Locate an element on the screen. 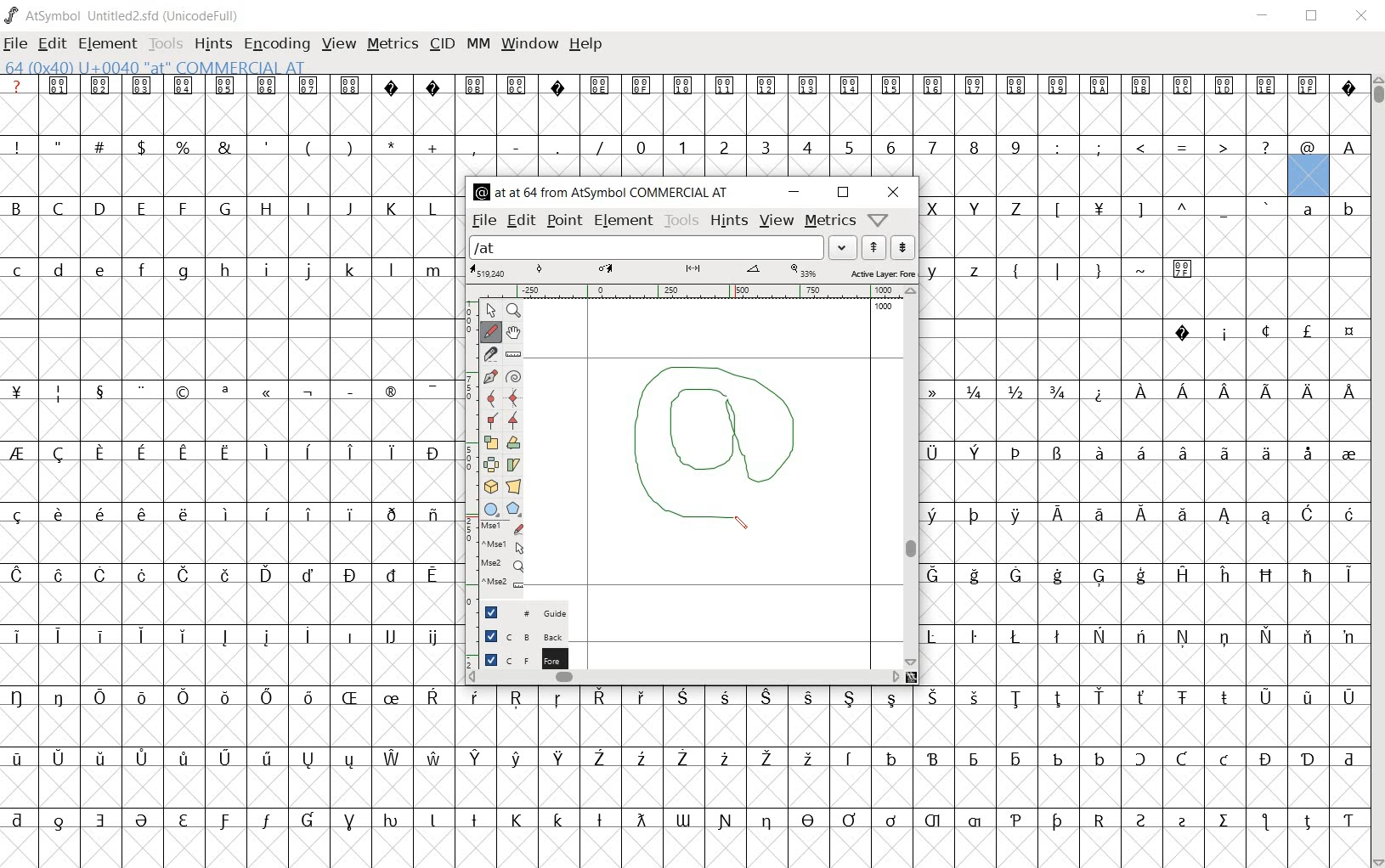  point is located at coordinates (565, 222).